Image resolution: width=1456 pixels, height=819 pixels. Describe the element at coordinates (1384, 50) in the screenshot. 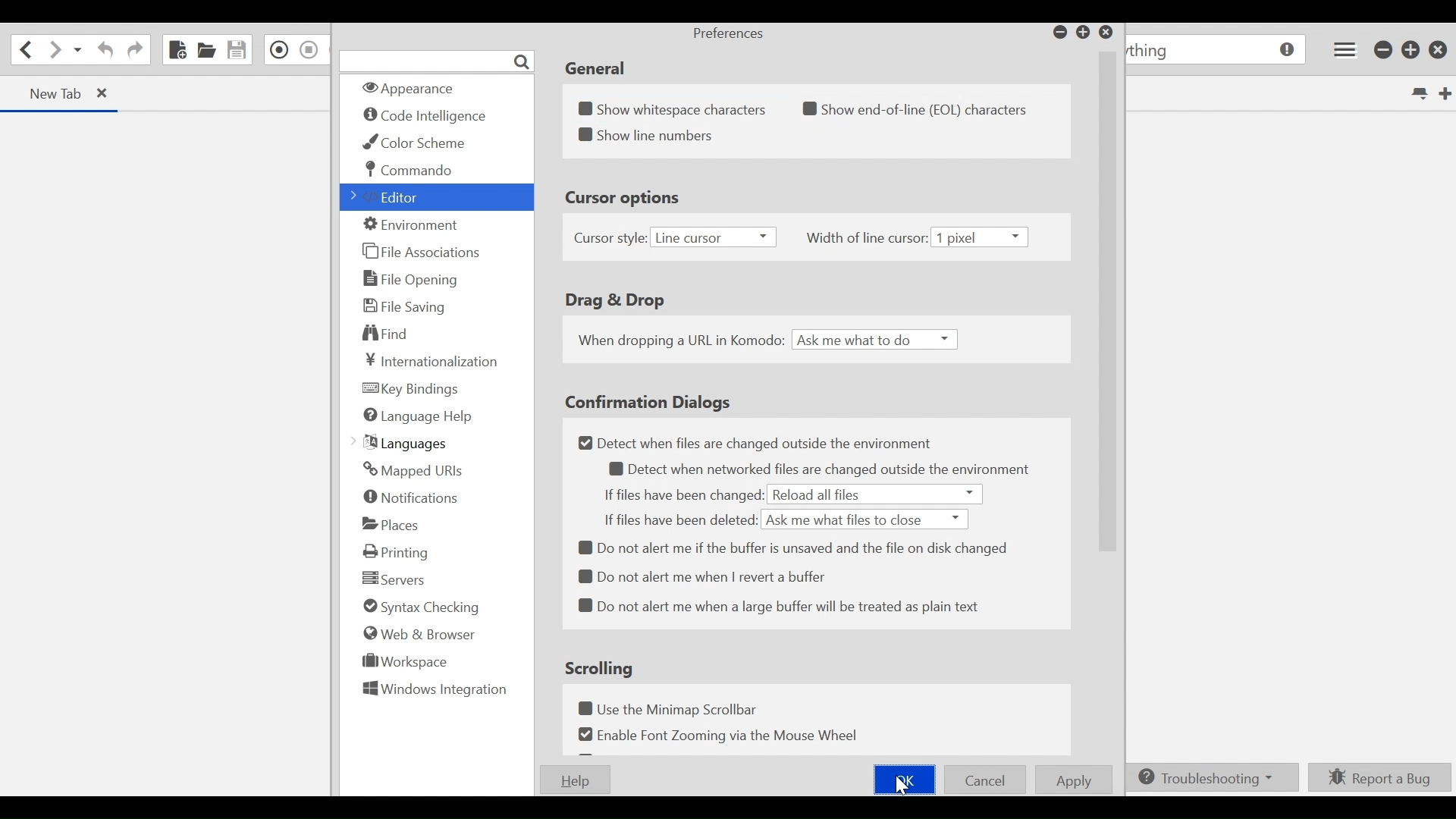

I see `minimize` at that location.